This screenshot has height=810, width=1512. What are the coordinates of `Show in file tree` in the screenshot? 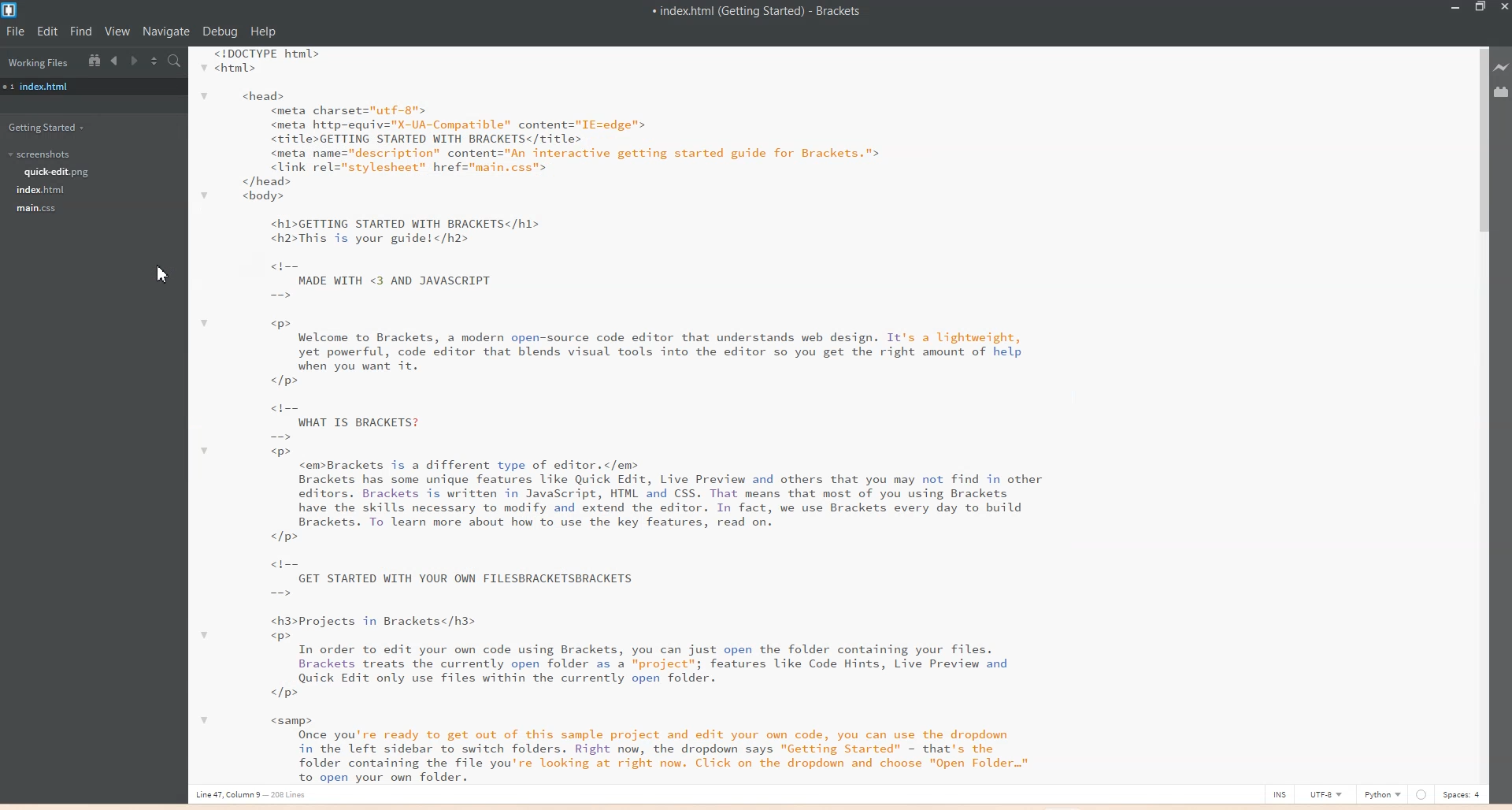 It's located at (94, 61).